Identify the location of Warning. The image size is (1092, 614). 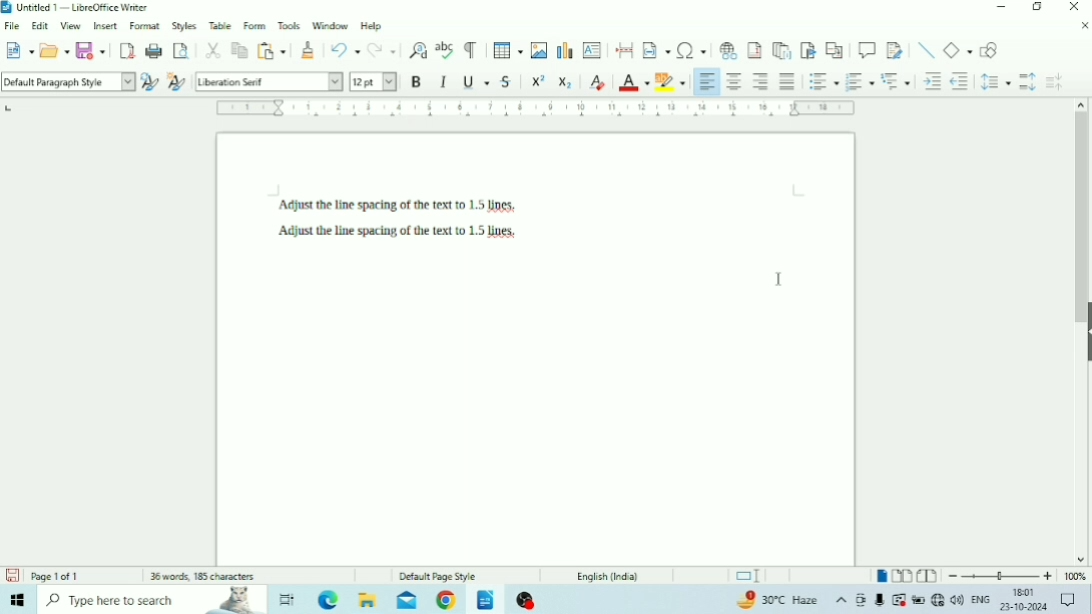
(899, 600).